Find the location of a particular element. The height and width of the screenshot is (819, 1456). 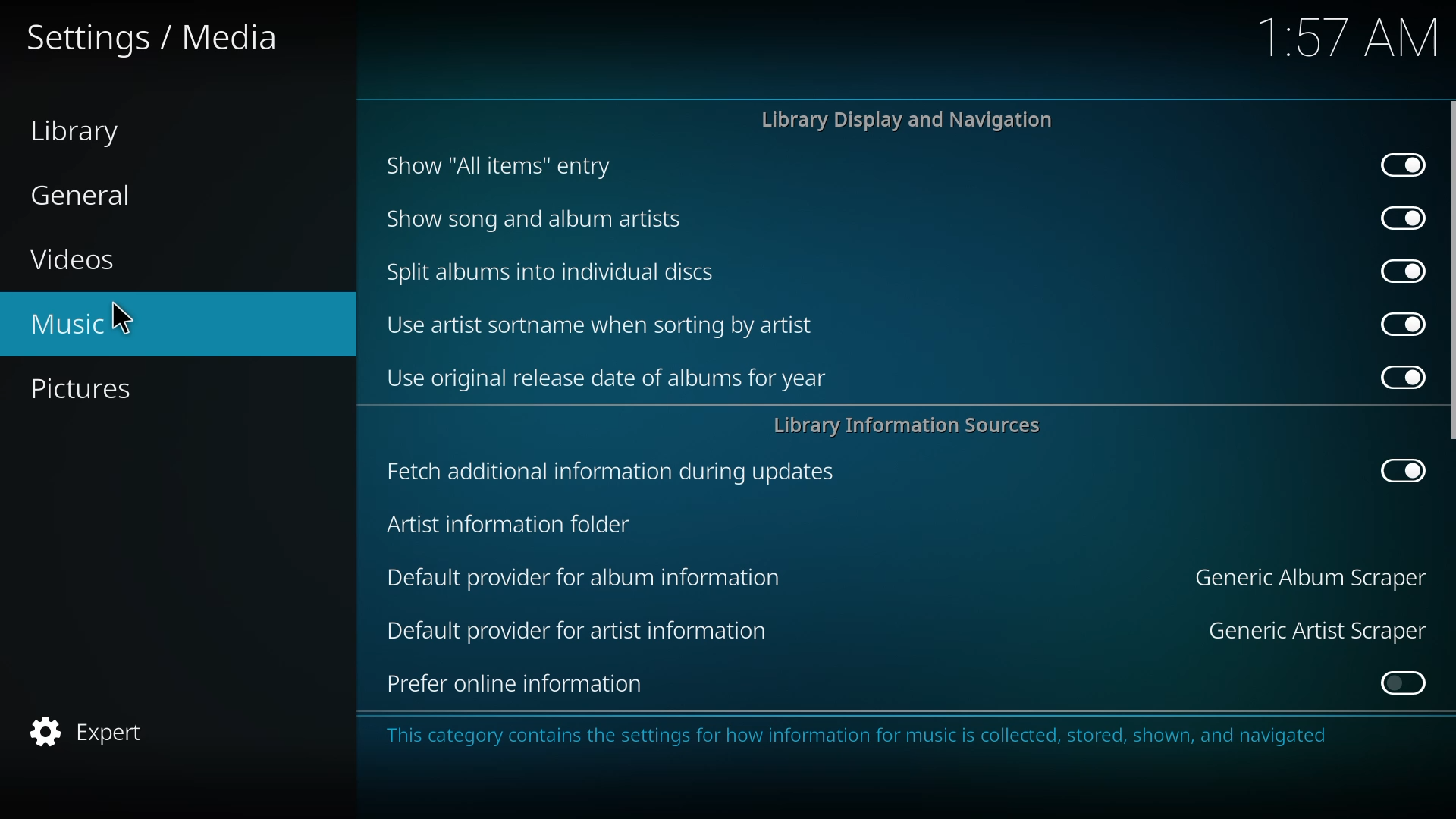

pictures is located at coordinates (89, 390).